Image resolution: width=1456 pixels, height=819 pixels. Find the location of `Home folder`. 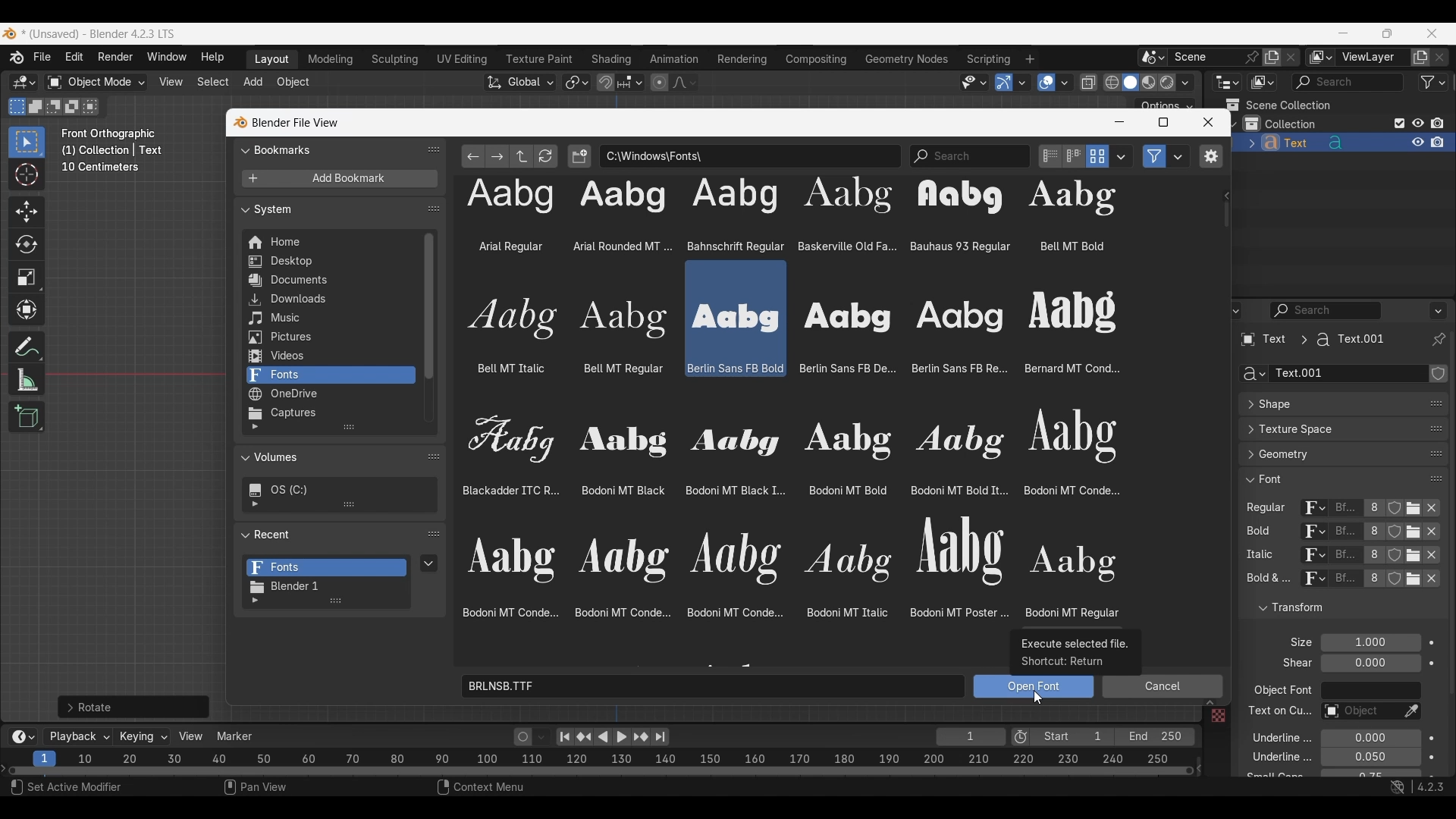

Home folder is located at coordinates (329, 242).